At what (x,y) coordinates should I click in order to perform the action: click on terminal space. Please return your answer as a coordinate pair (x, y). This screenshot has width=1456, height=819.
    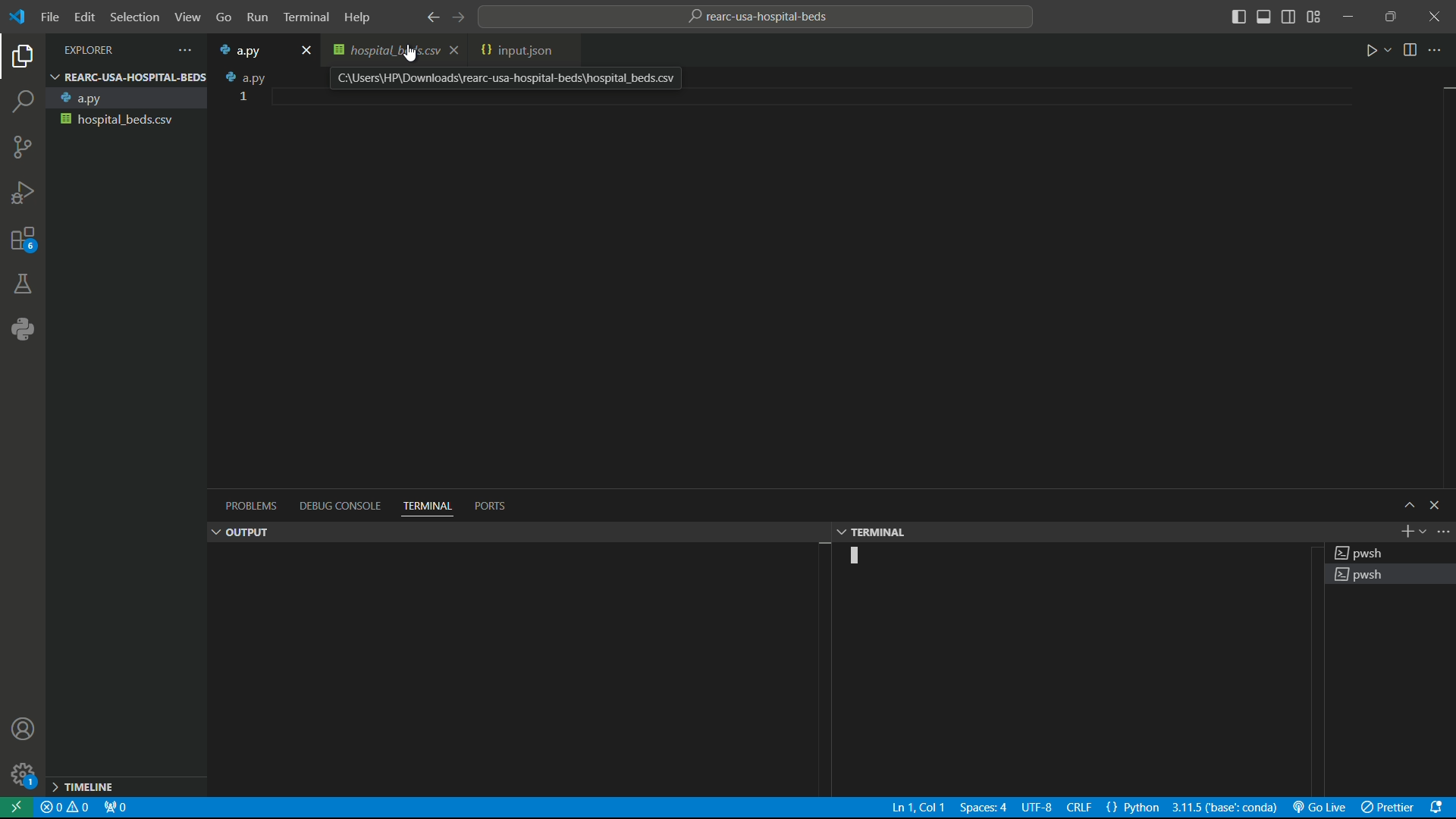
    Looking at the image, I should click on (1073, 671).